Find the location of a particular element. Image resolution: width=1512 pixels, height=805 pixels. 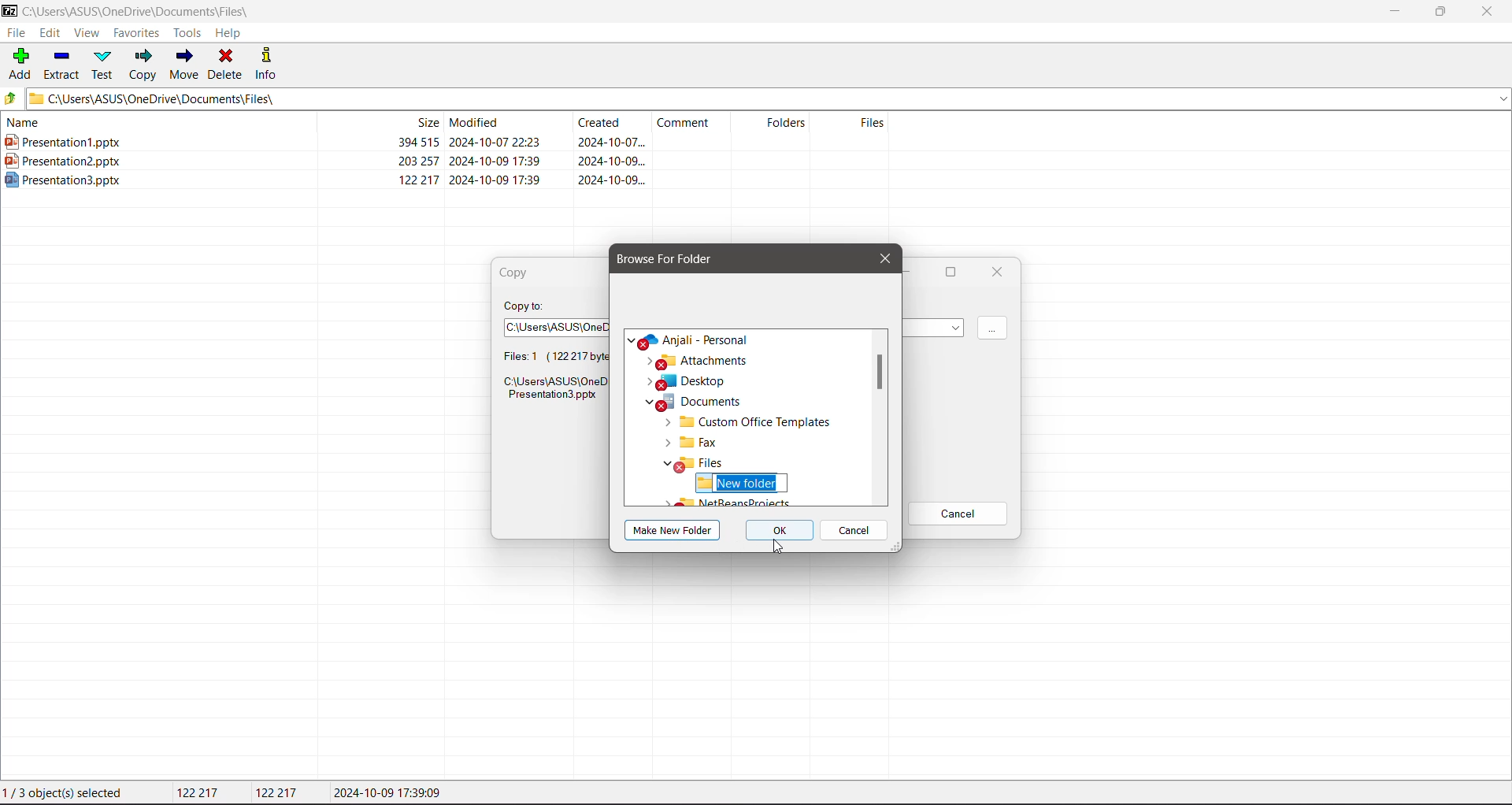

Test is located at coordinates (104, 65).